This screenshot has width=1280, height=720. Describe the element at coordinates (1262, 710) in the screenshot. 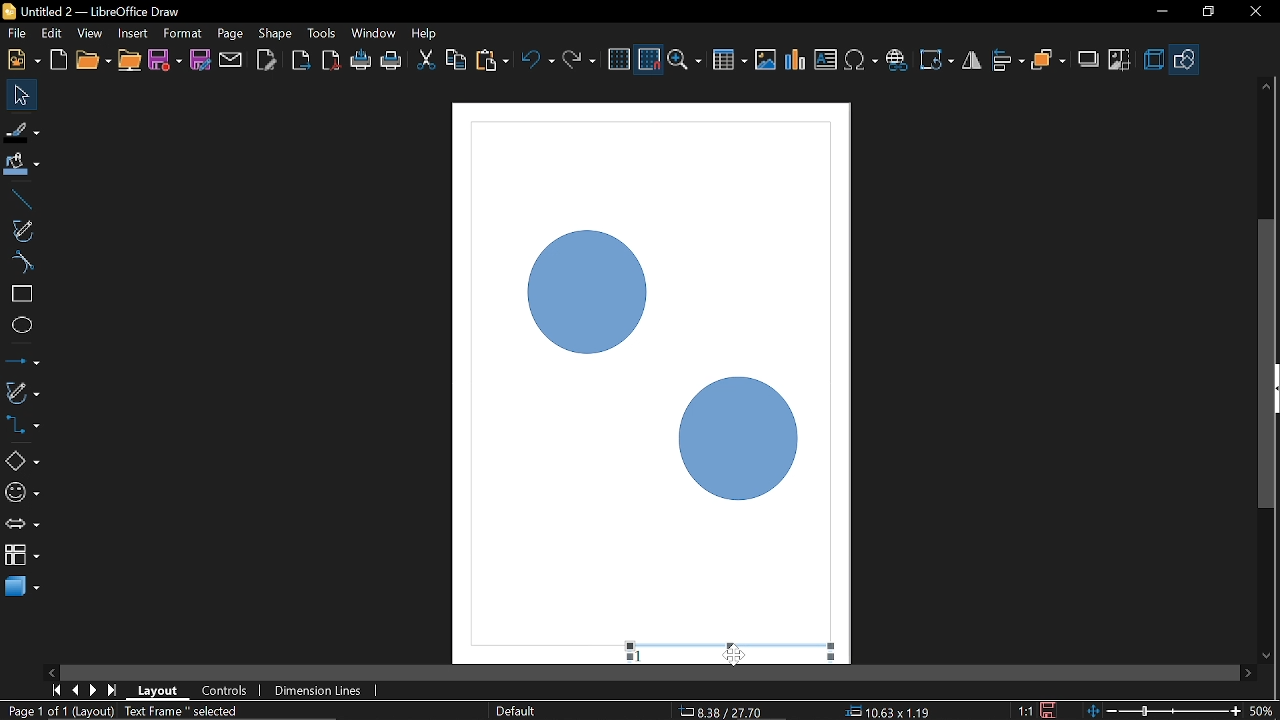

I see `Current zoom` at that location.